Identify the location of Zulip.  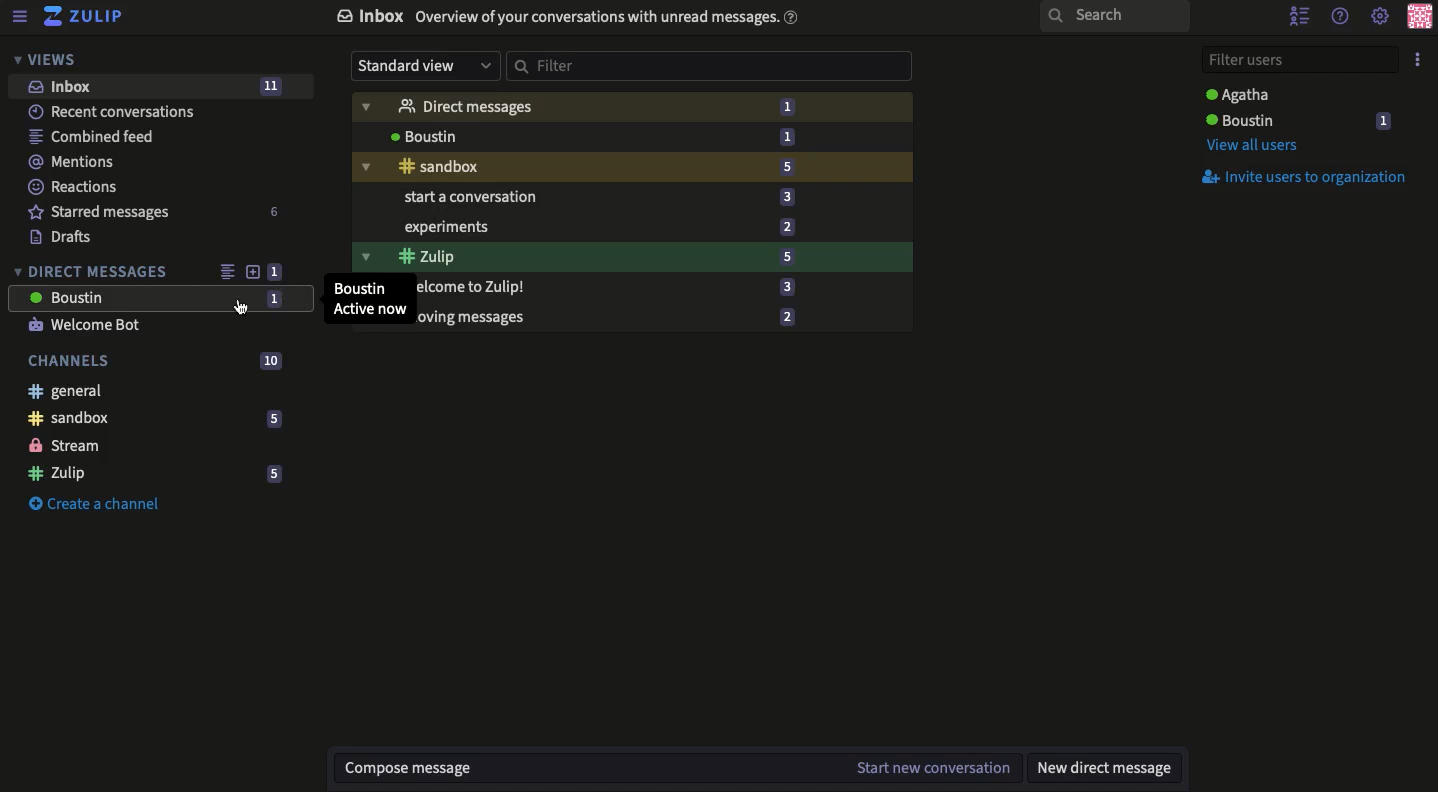
(158, 476).